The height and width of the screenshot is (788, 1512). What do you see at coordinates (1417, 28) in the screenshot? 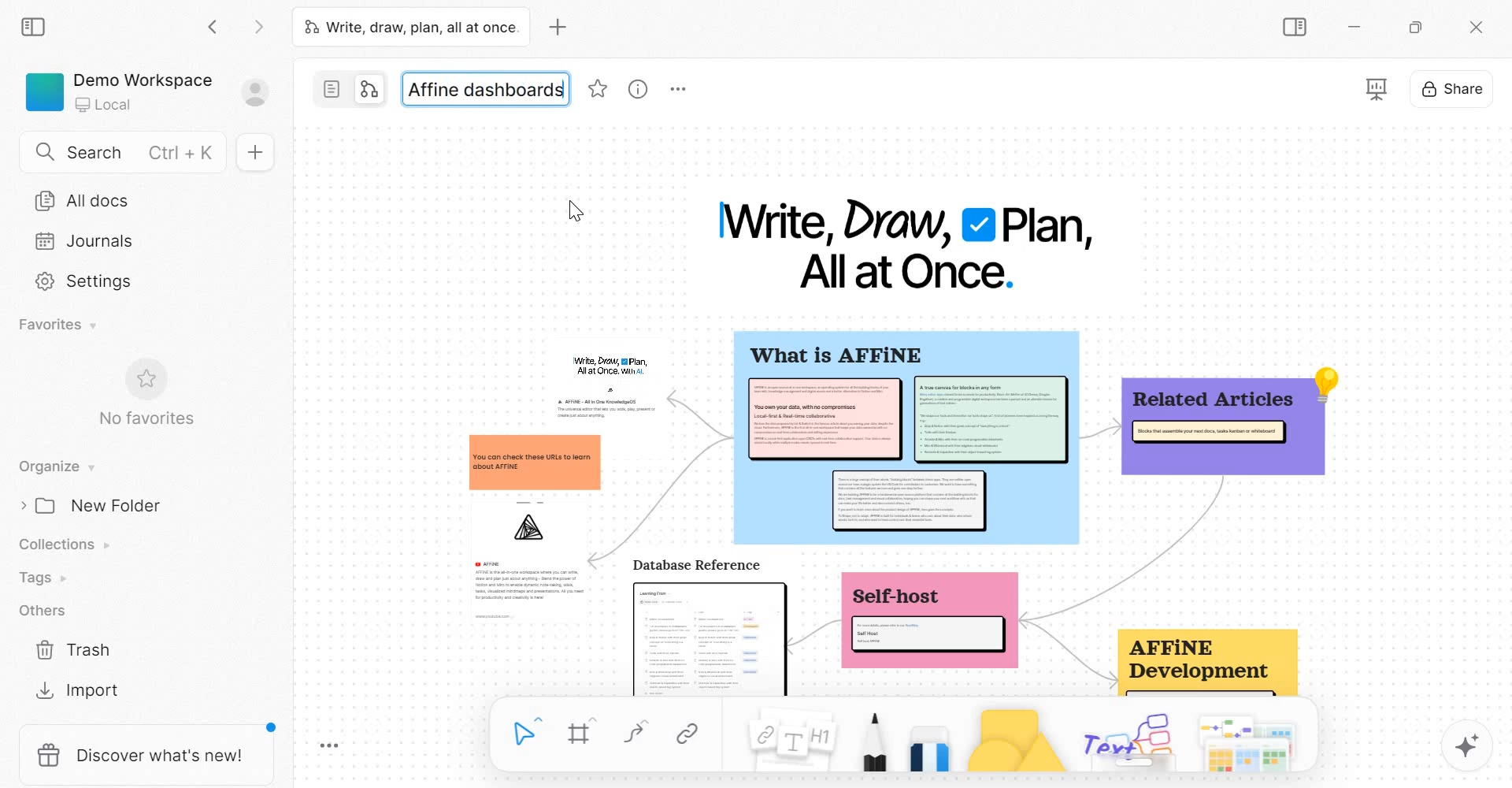
I see `Maximize` at bounding box center [1417, 28].